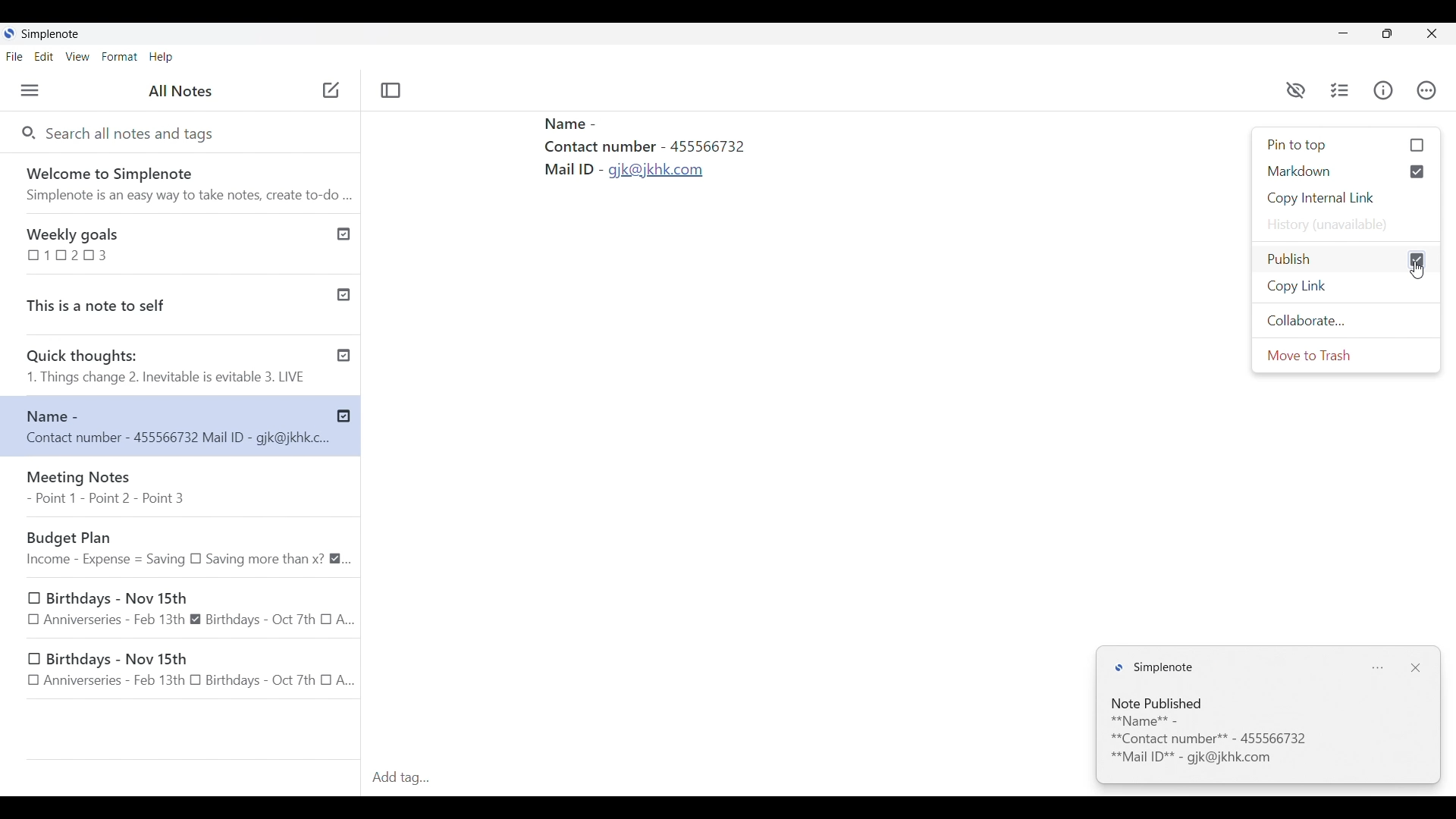 The width and height of the screenshot is (1456, 819). Describe the element at coordinates (50, 34) in the screenshot. I see `Software name` at that location.